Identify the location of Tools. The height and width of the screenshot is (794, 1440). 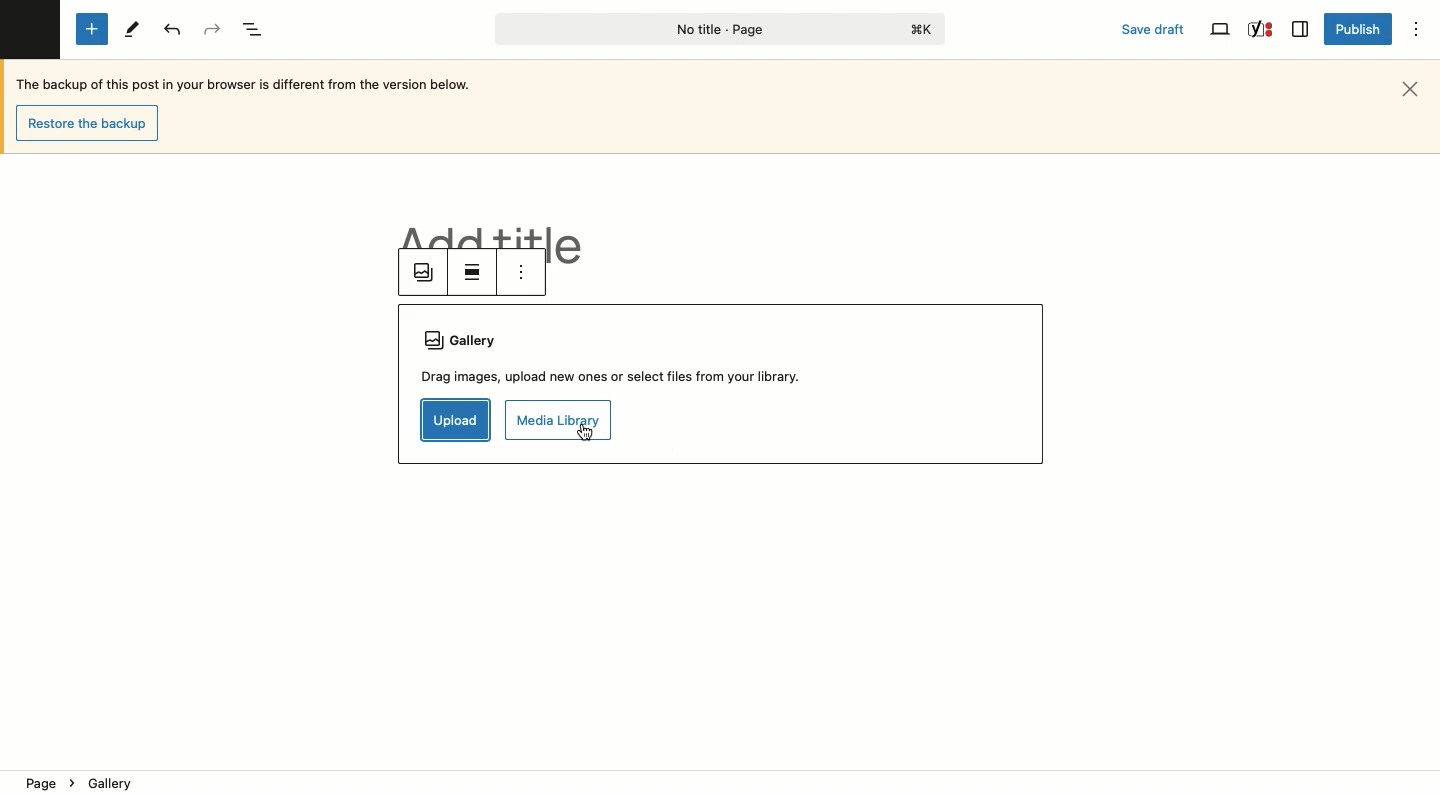
(129, 28).